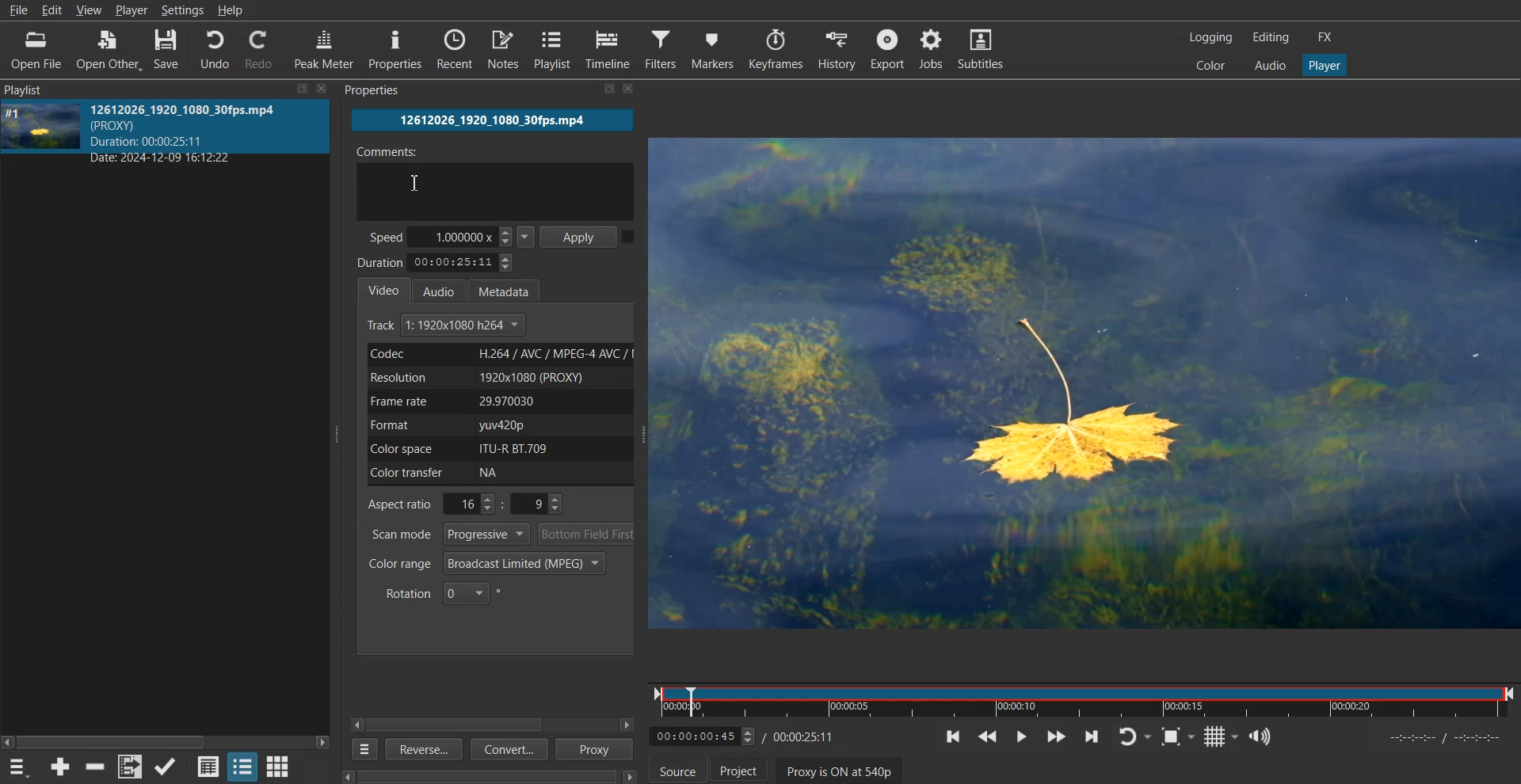  What do you see at coordinates (635, 91) in the screenshot?
I see `close` at bounding box center [635, 91].